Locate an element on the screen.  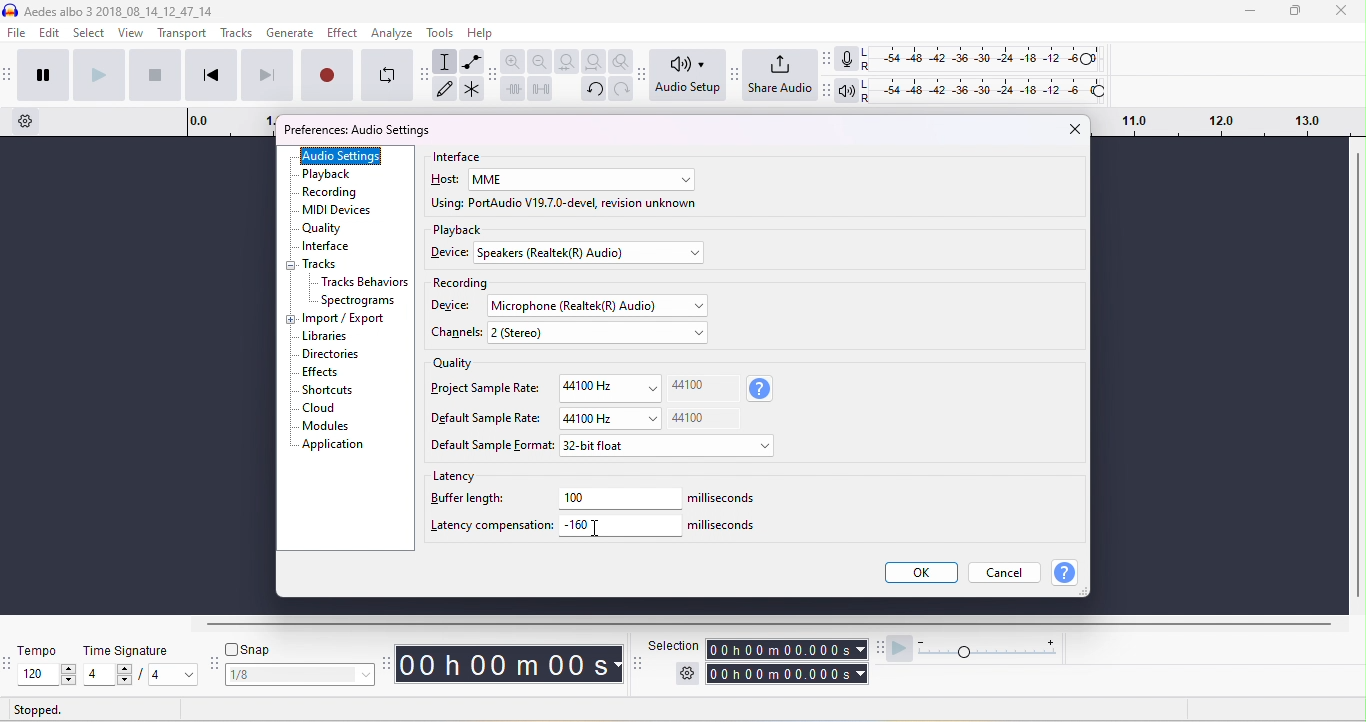
silence the selection is located at coordinates (544, 92).